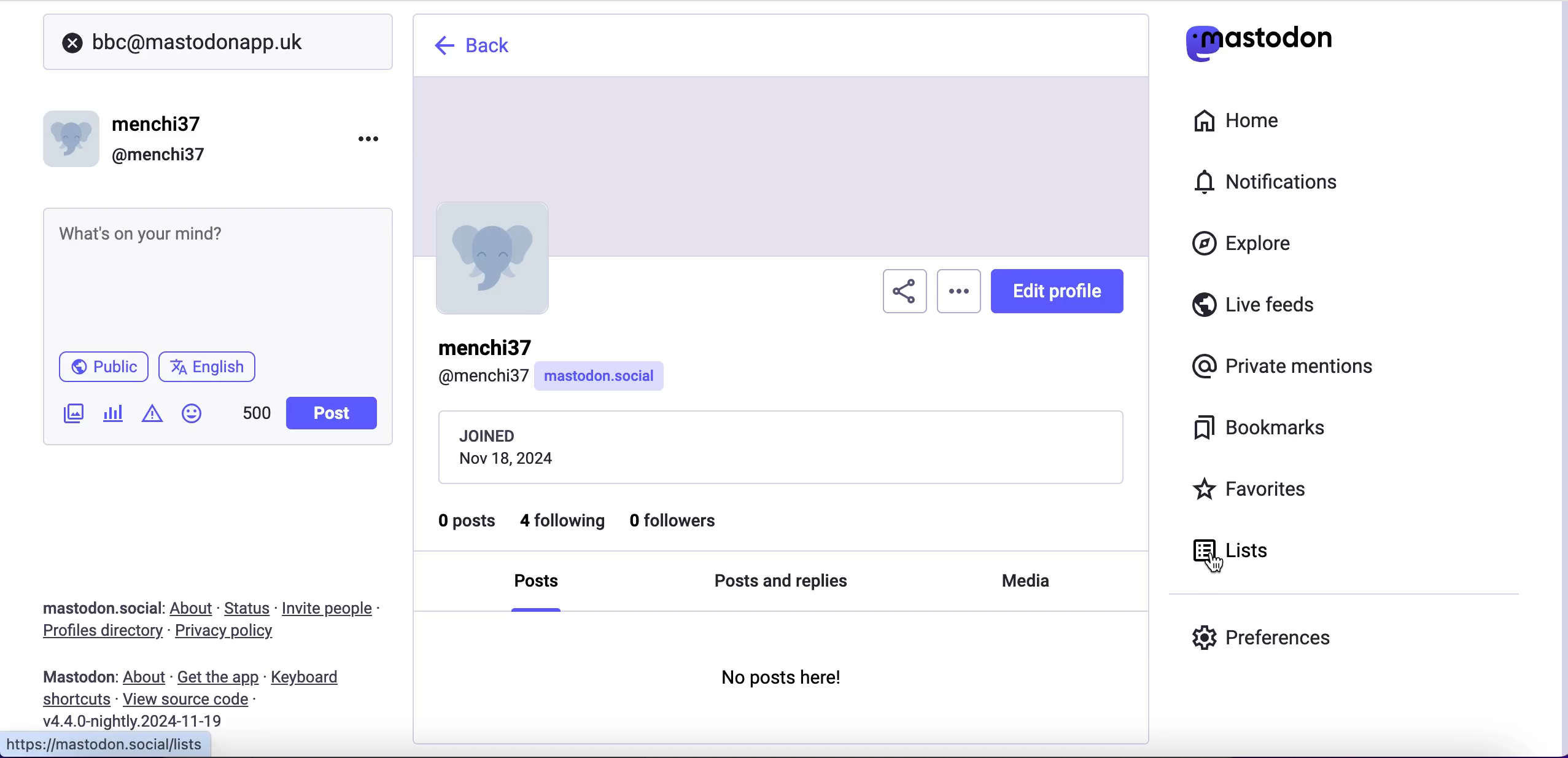  Describe the element at coordinates (472, 48) in the screenshot. I see `back` at that location.